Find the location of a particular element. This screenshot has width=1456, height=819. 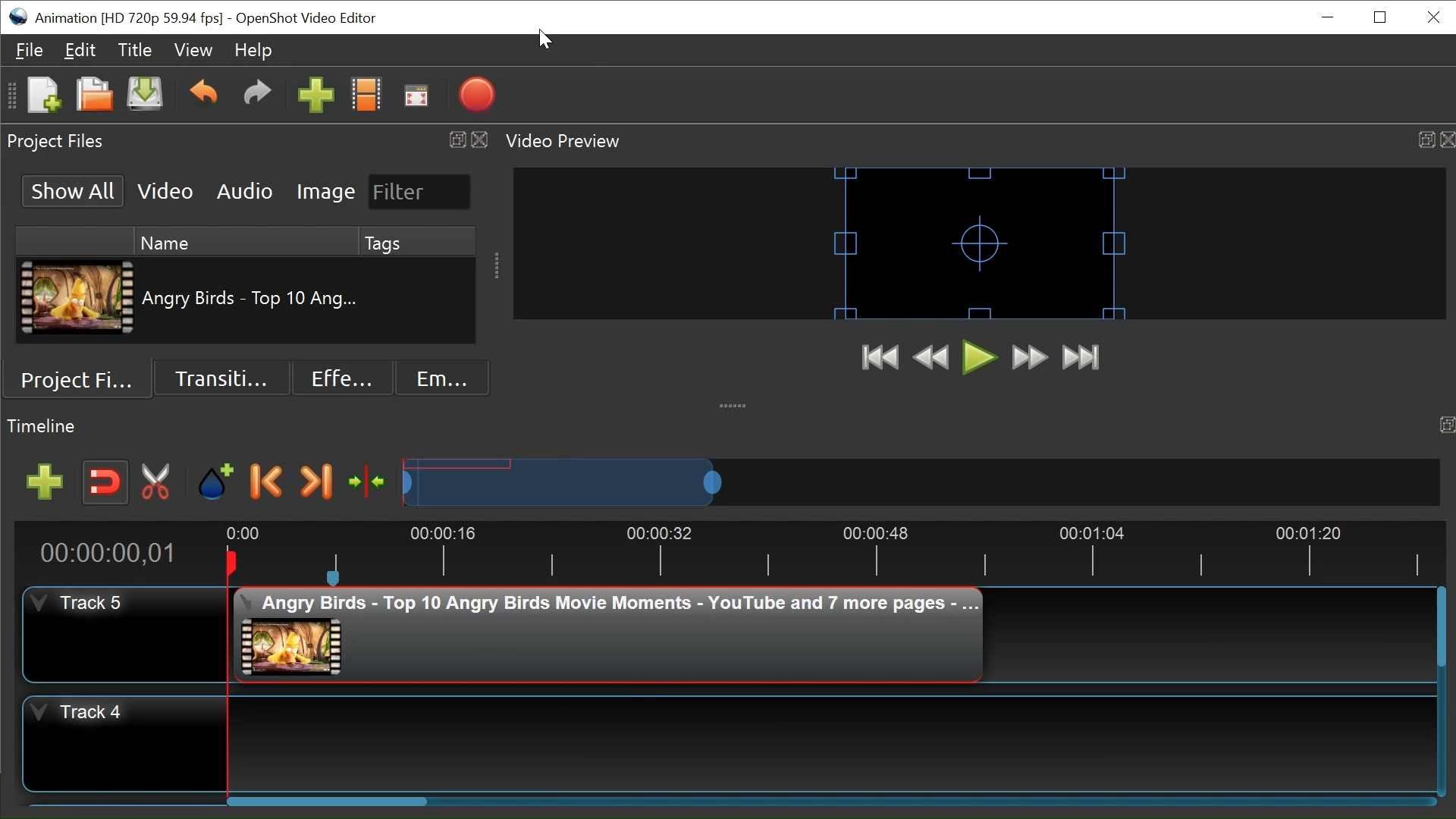

Track Header is located at coordinates (124, 635).